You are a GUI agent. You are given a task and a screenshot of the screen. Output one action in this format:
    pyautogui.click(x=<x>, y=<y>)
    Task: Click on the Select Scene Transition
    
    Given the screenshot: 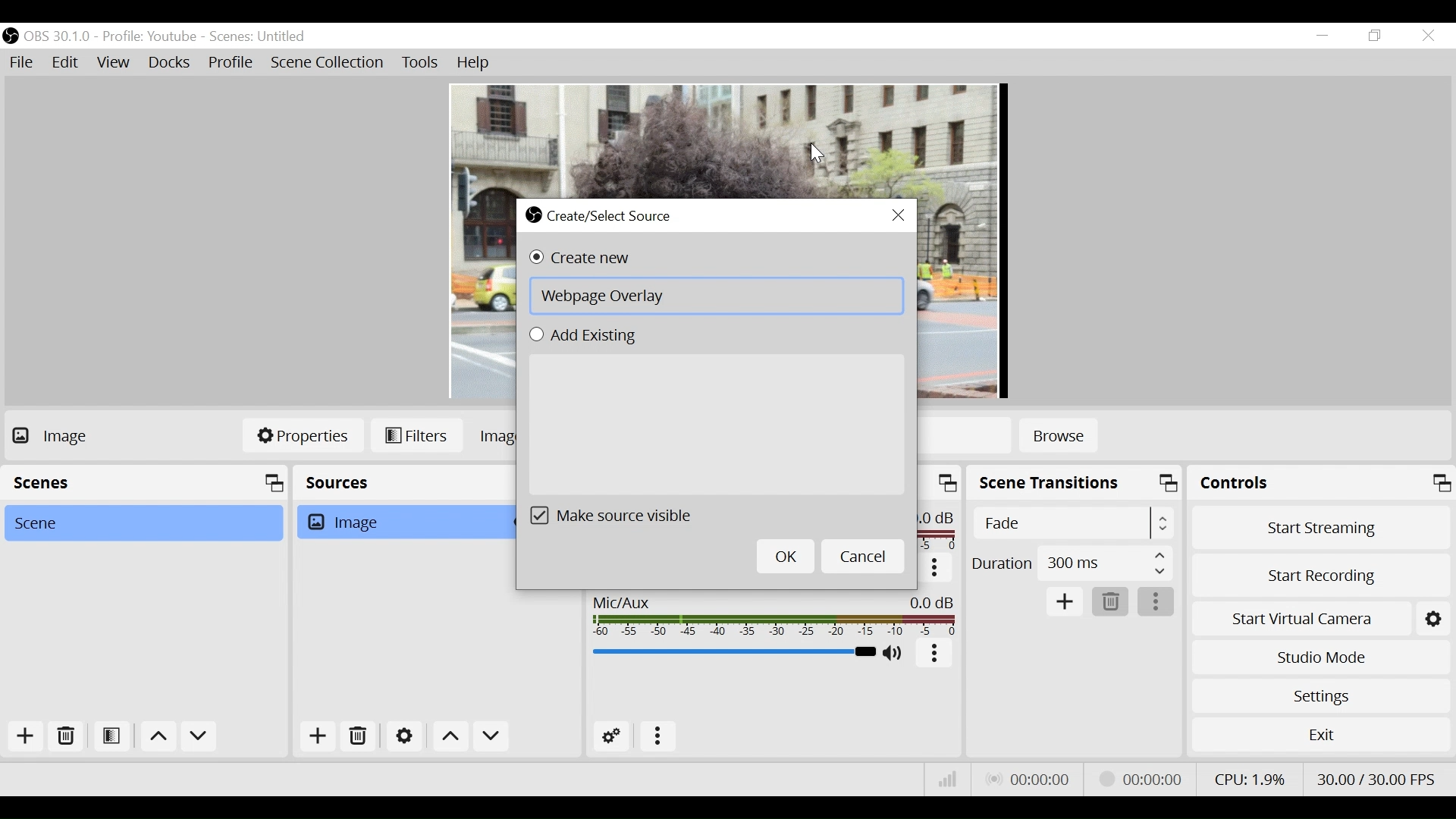 What is the action you would take?
    pyautogui.click(x=1072, y=521)
    